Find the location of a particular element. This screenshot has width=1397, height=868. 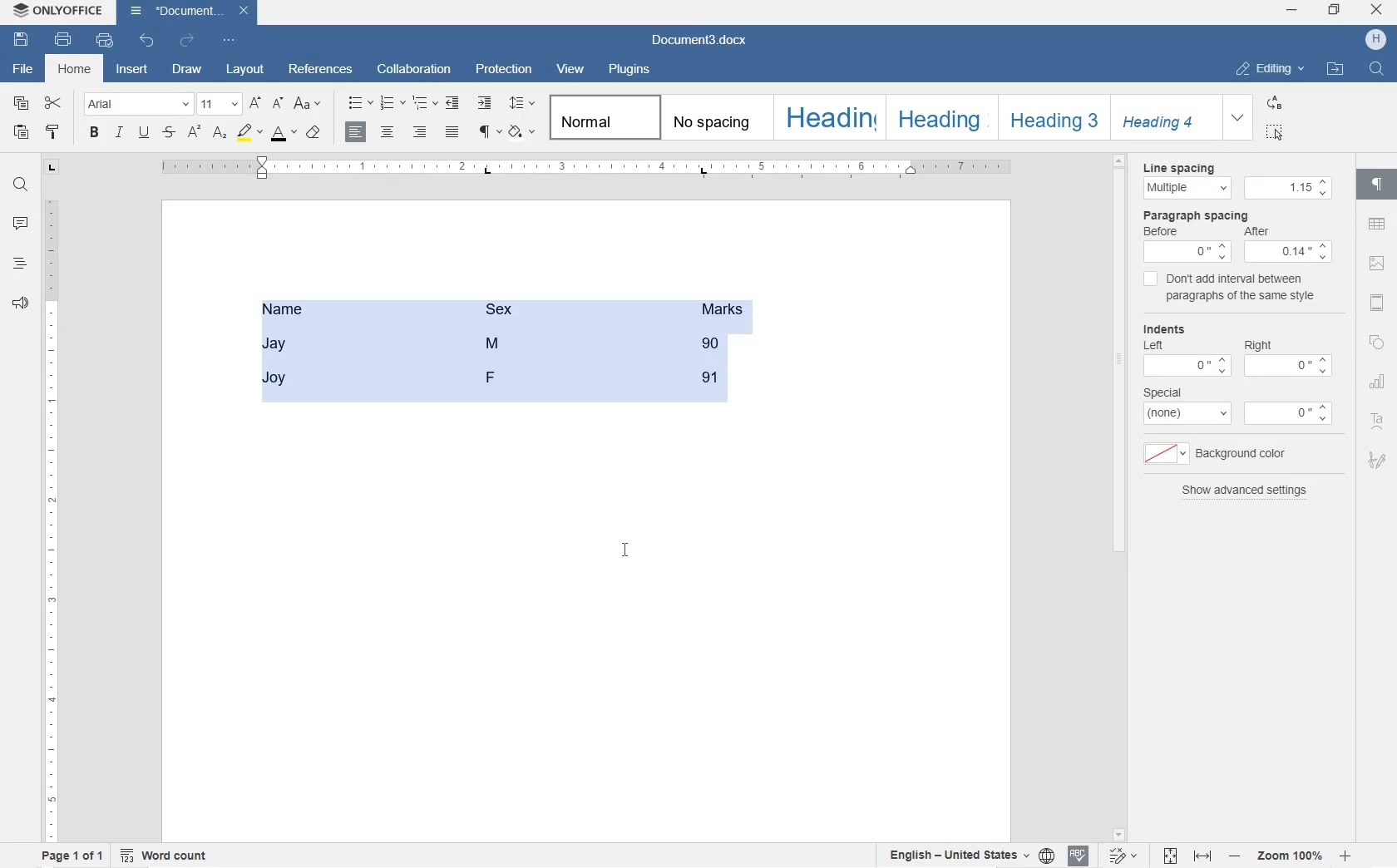

MULTILEVEL LISTS is located at coordinates (423, 101).